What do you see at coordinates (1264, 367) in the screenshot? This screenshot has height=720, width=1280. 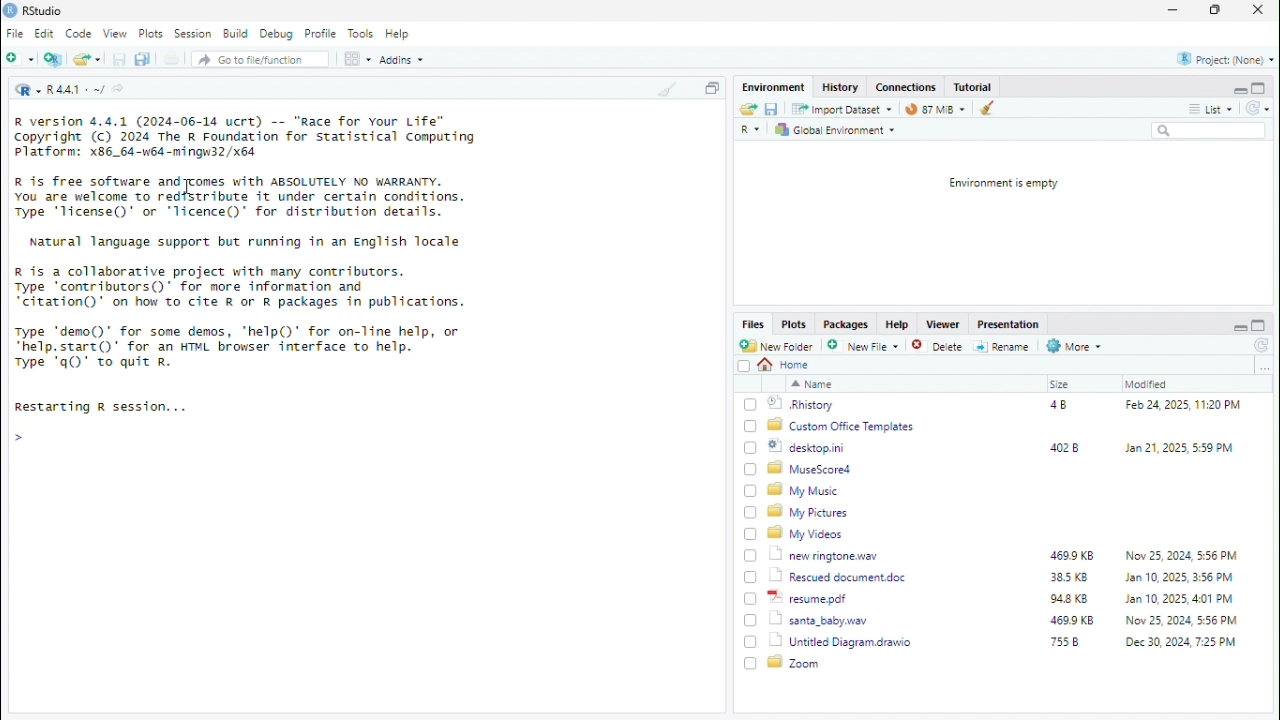 I see `more` at bounding box center [1264, 367].